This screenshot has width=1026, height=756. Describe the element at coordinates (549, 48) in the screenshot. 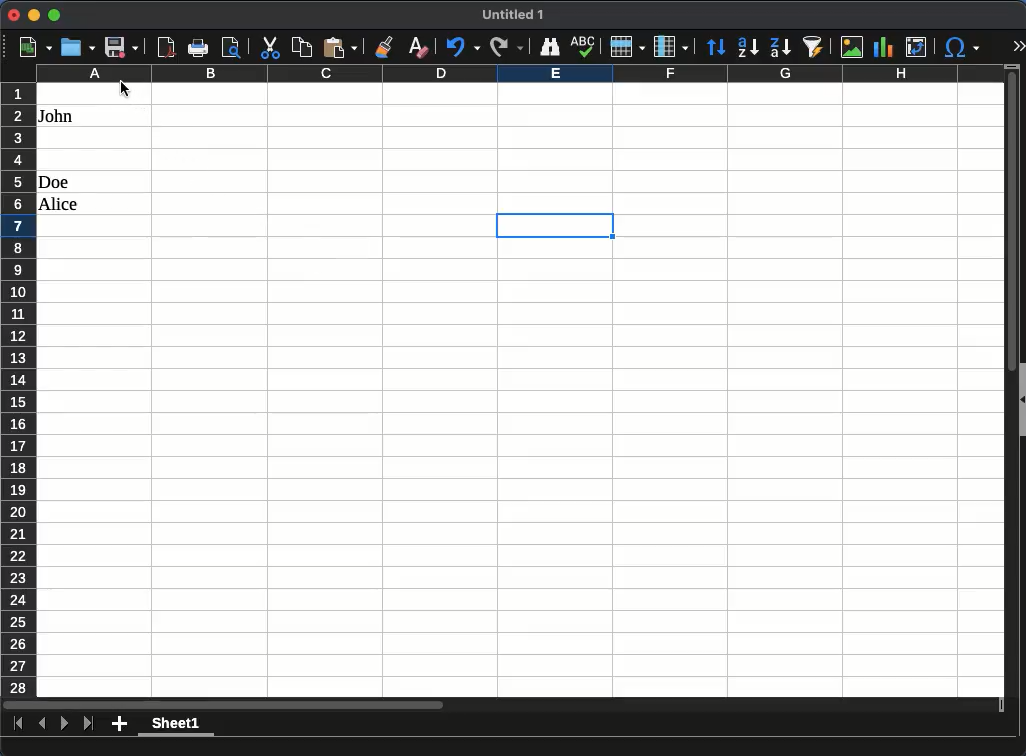

I see `finder` at that location.